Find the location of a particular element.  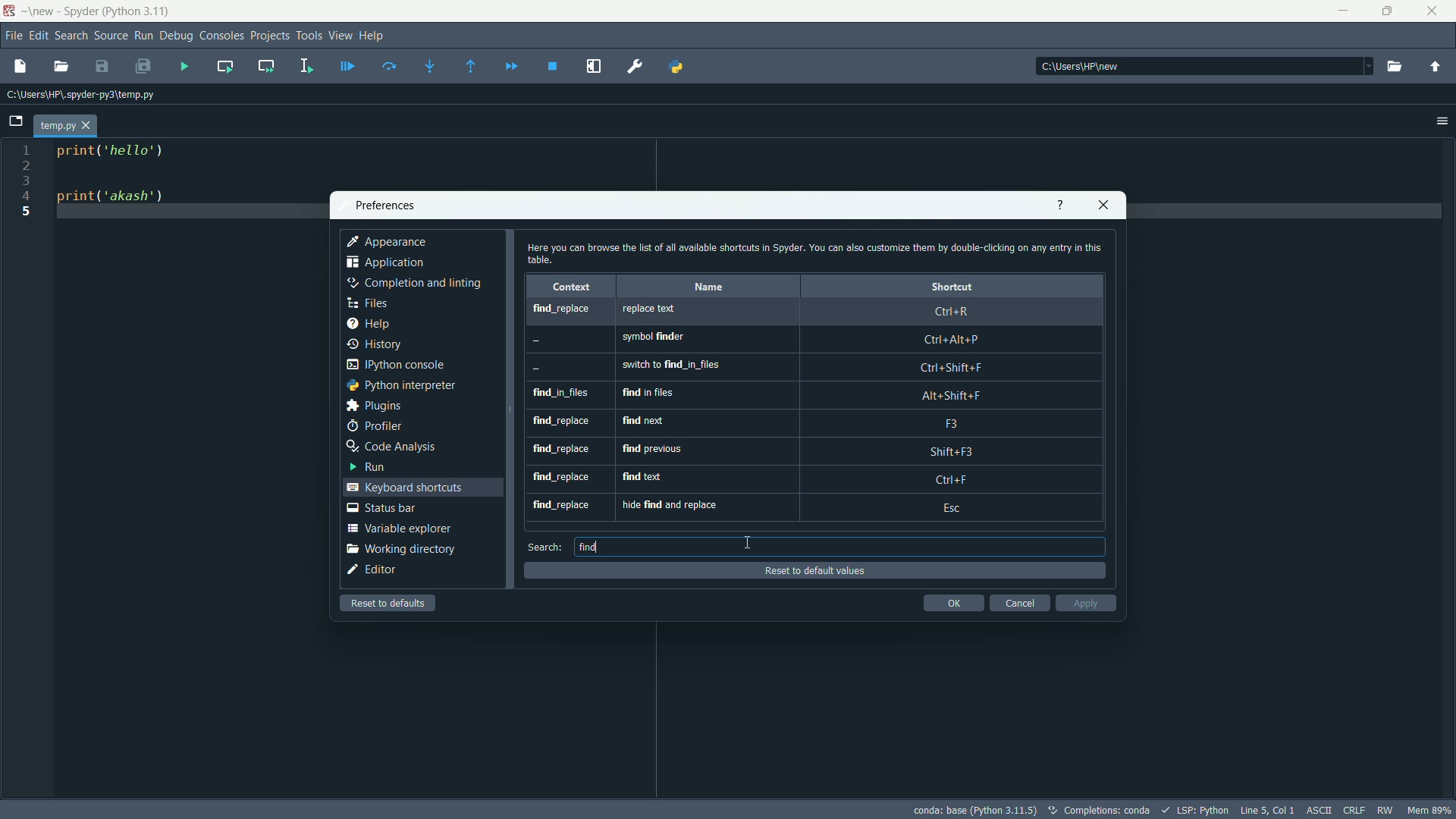

find_replace, find text, ctrl+f is located at coordinates (807, 480).